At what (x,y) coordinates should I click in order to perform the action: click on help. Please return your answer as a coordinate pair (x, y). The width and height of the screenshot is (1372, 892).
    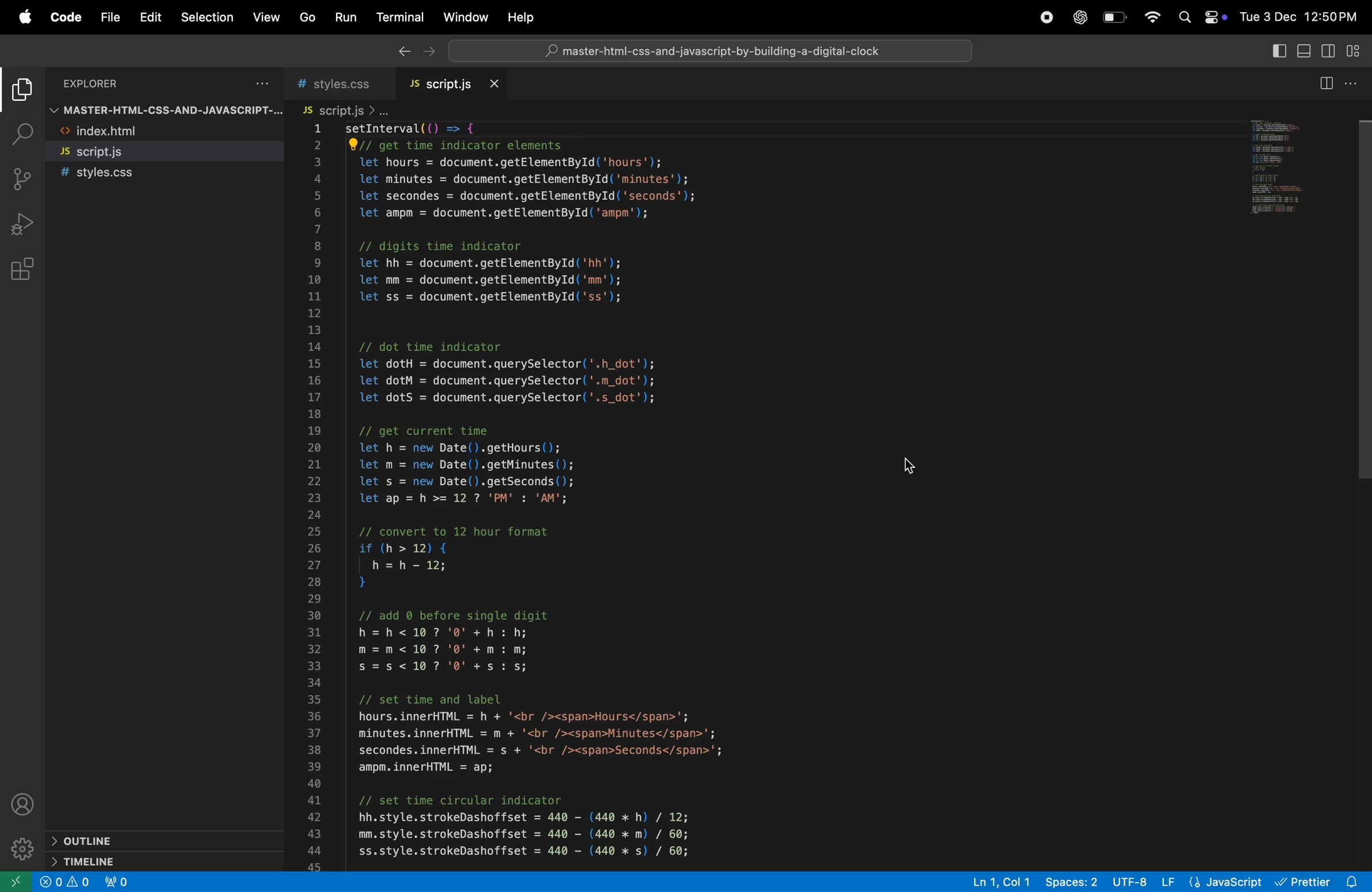
    Looking at the image, I should click on (522, 16).